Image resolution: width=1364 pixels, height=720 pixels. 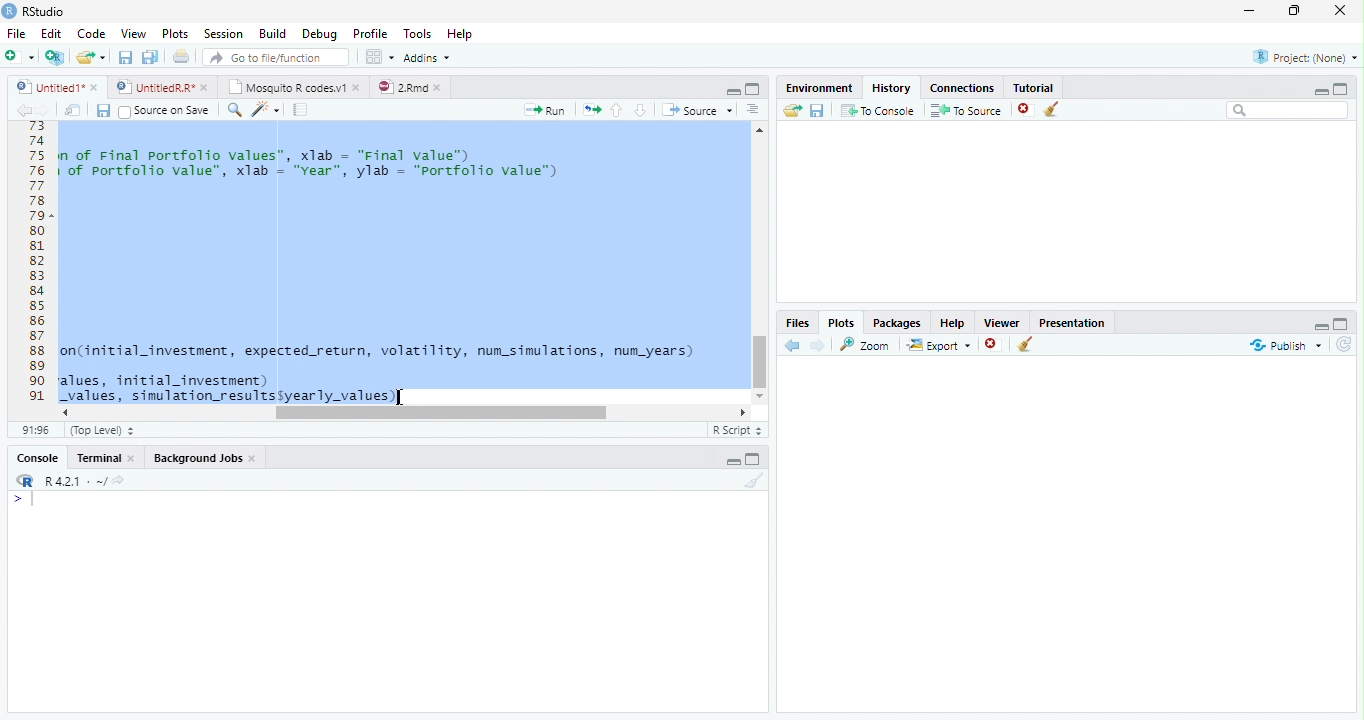 What do you see at coordinates (751, 481) in the screenshot?
I see `Clear` at bounding box center [751, 481].